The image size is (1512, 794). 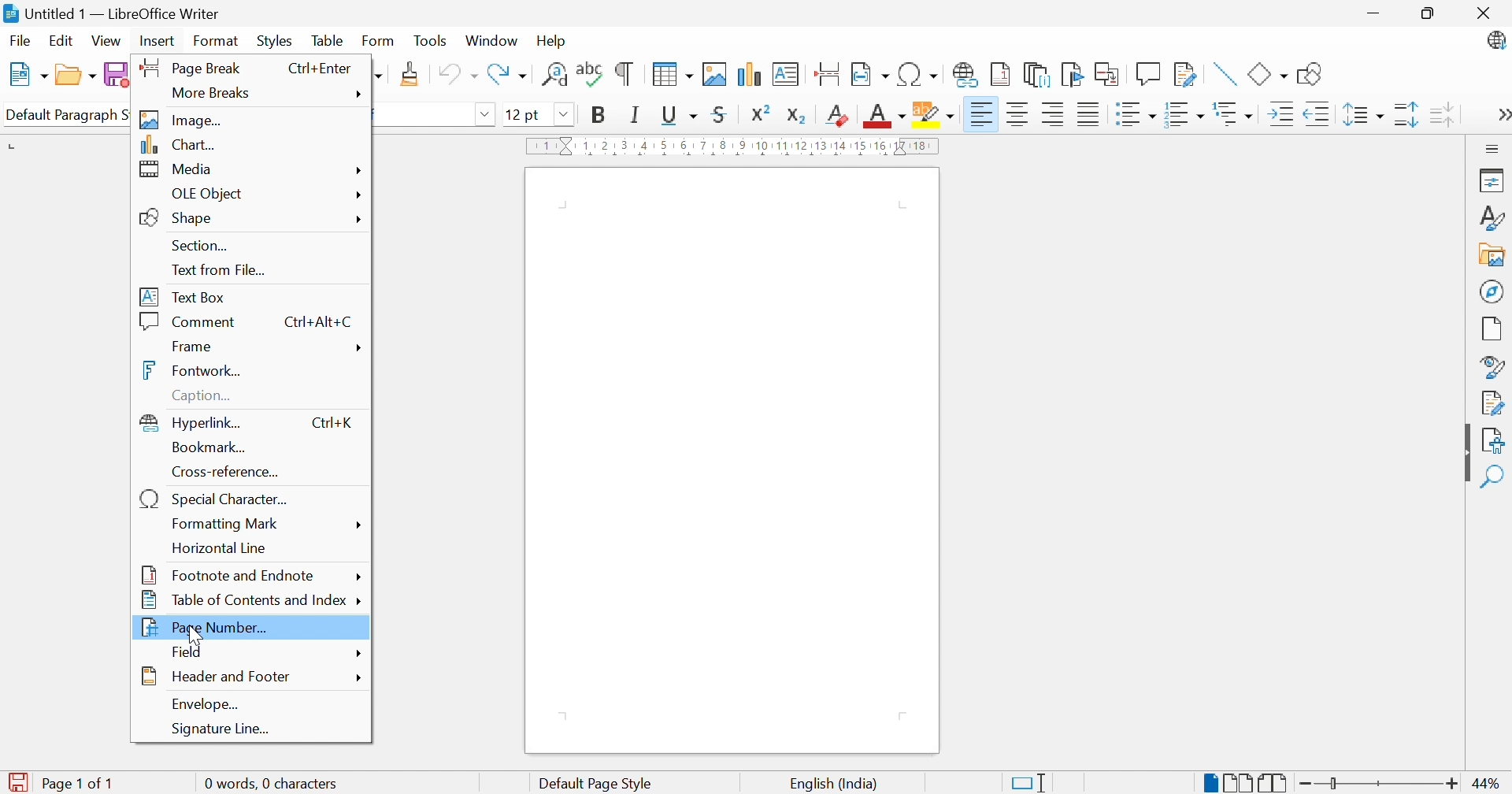 What do you see at coordinates (1108, 74) in the screenshot?
I see `Insert cross-reference` at bounding box center [1108, 74].